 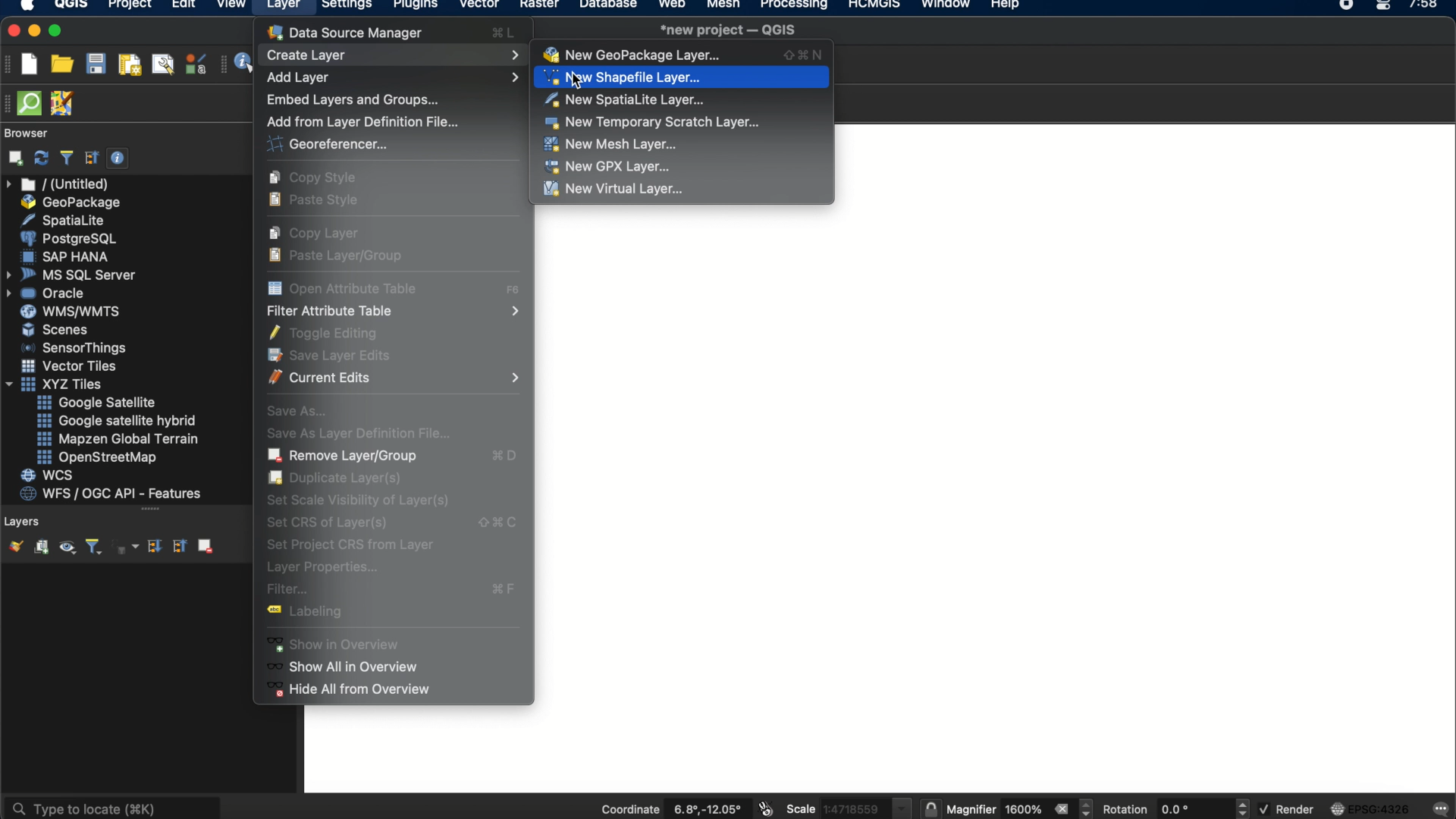 I want to click on apple logo, so click(x=25, y=6).